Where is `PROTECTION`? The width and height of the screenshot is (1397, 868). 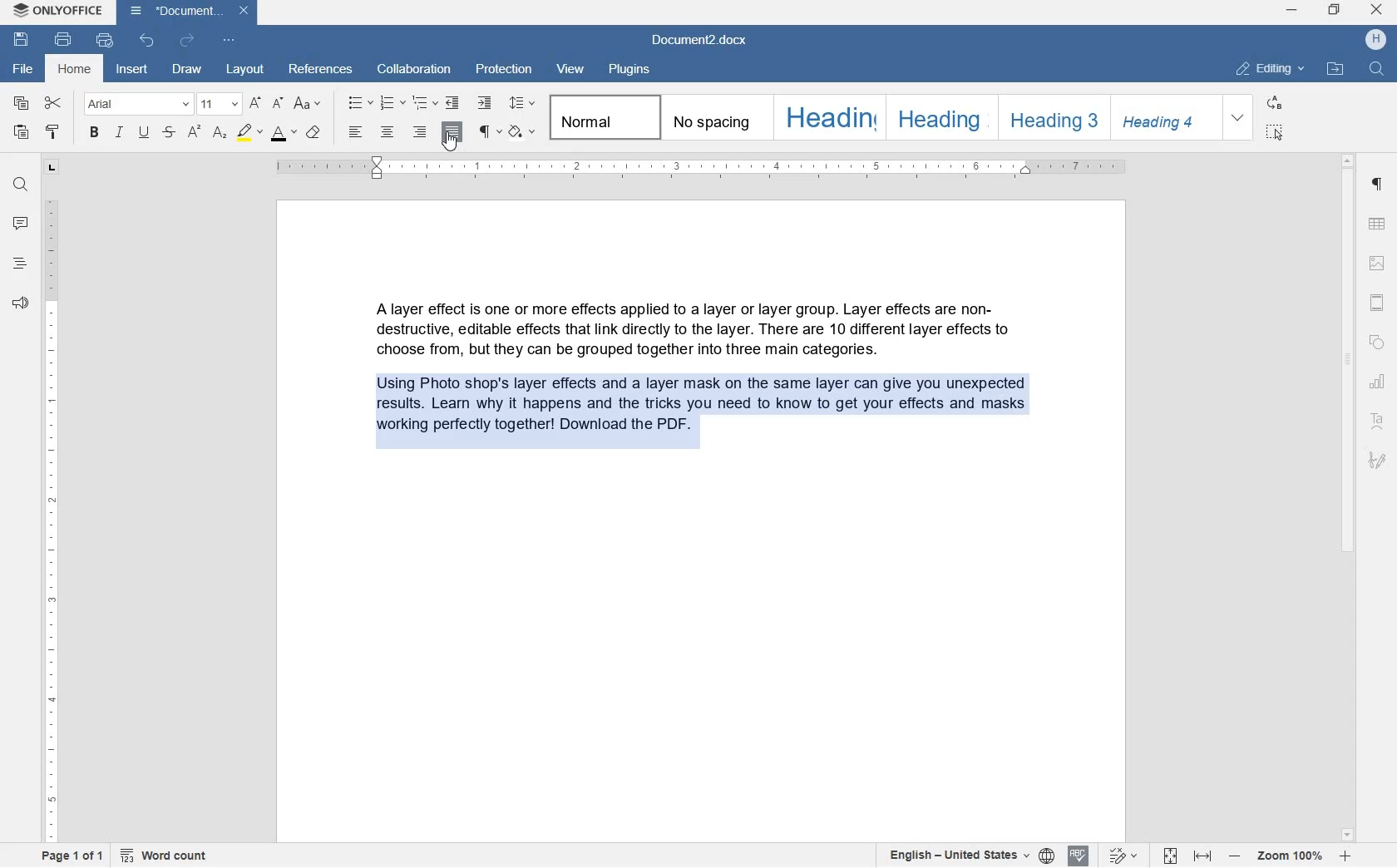
PROTECTION is located at coordinates (504, 70).